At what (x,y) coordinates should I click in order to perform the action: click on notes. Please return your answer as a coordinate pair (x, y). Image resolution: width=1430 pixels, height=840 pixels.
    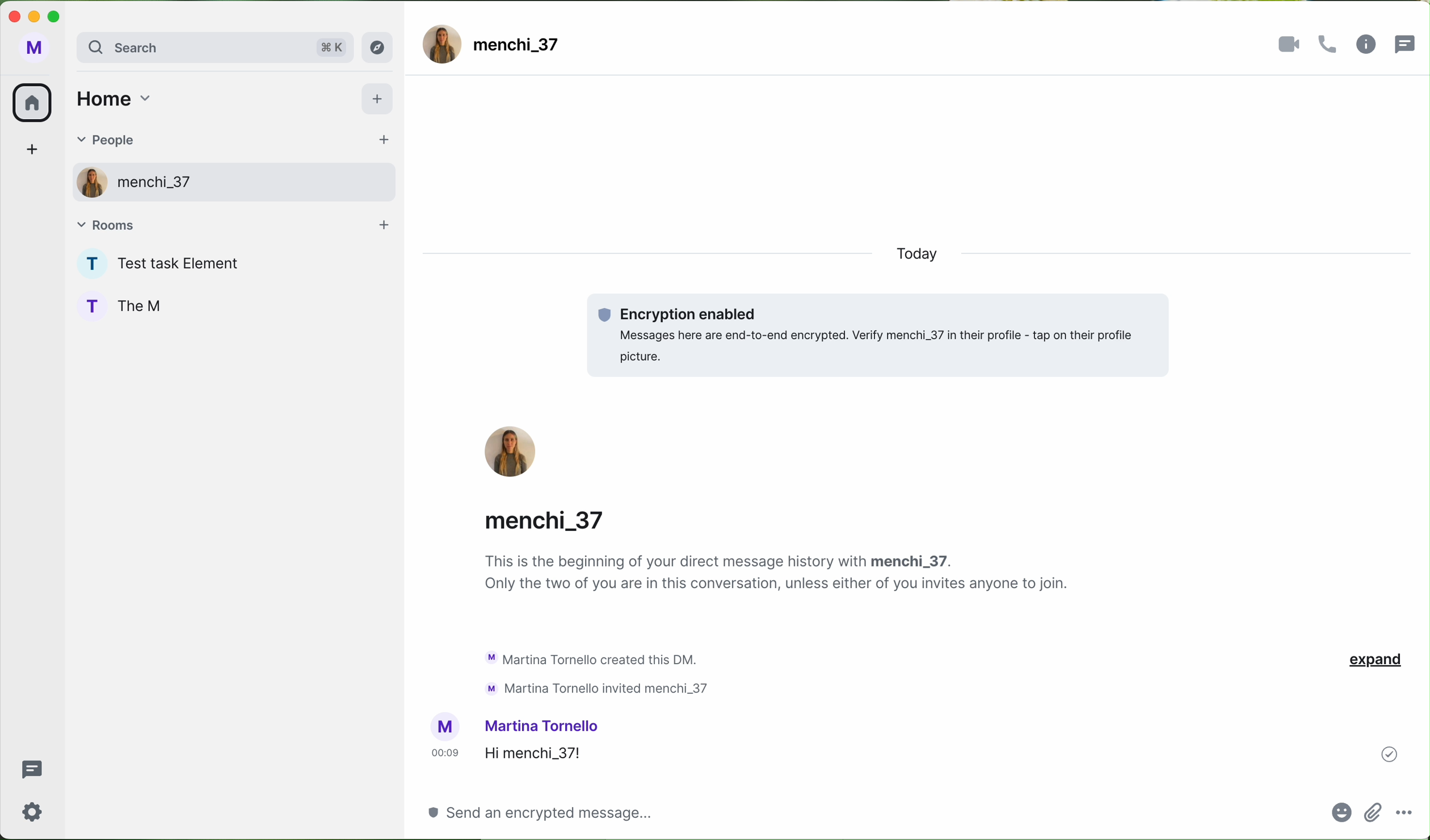
    Looking at the image, I should click on (780, 575).